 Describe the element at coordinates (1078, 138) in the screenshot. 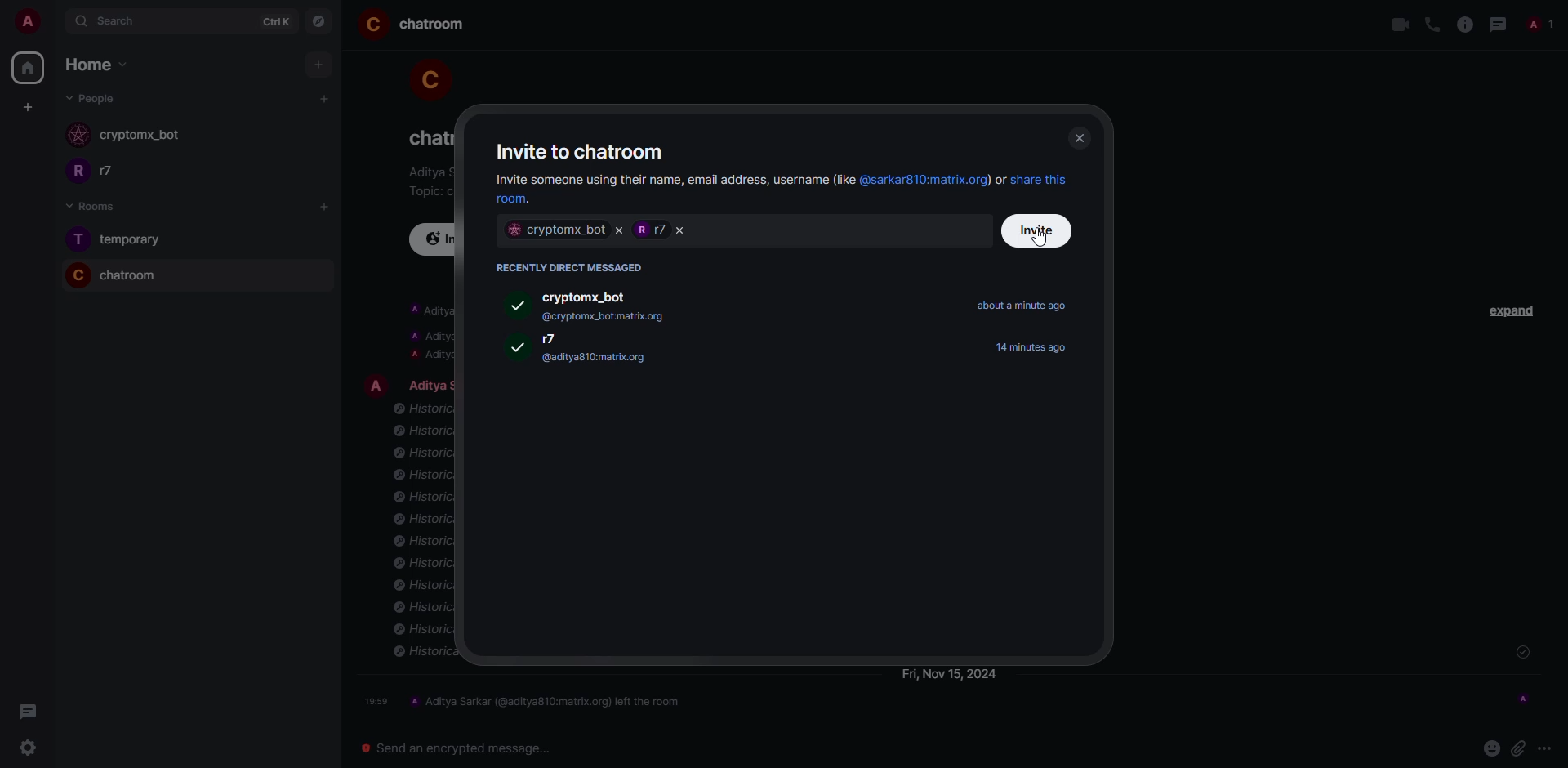

I see `close` at that location.